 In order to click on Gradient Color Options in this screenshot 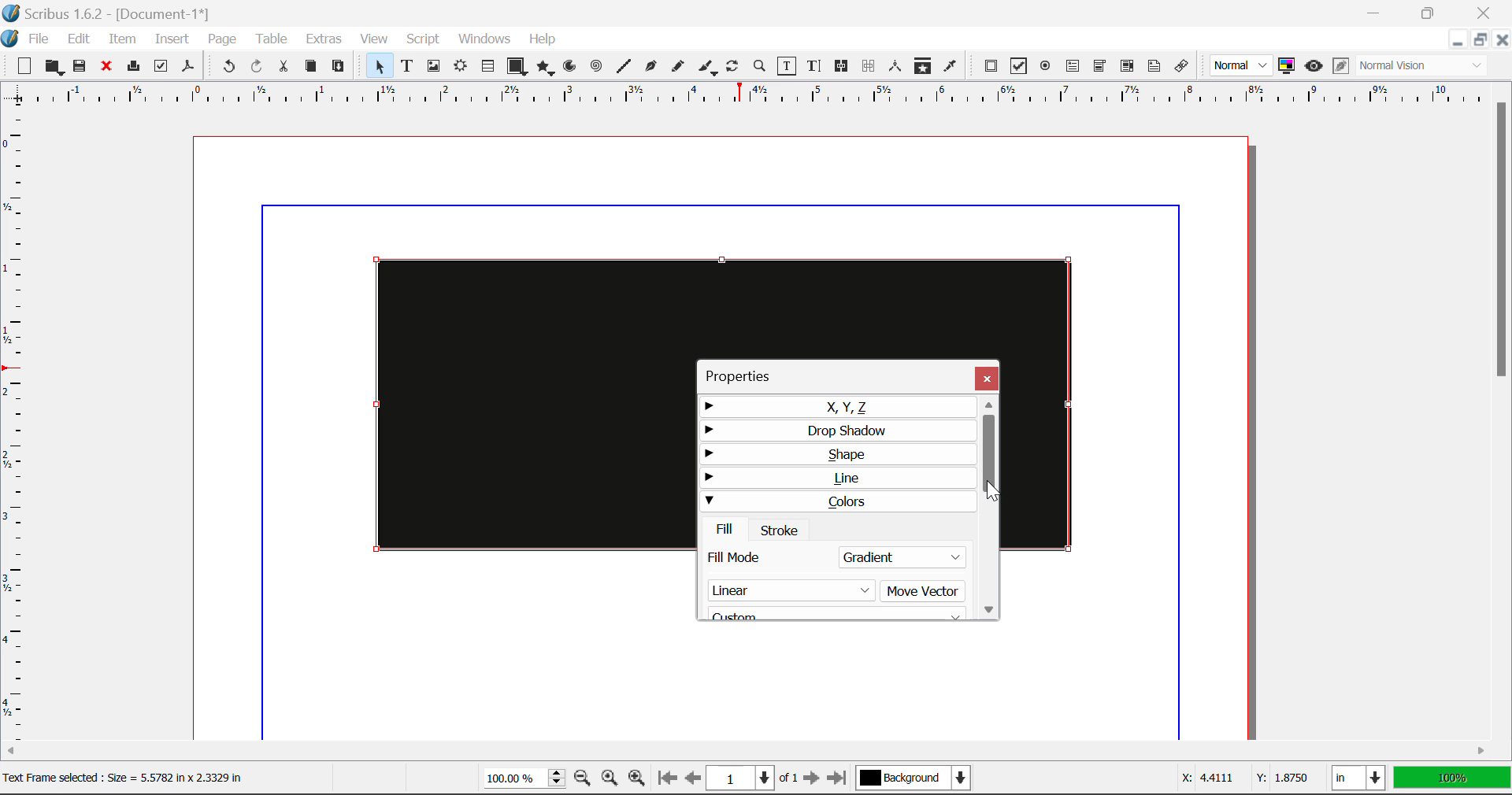, I will do `click(789, 590)`.